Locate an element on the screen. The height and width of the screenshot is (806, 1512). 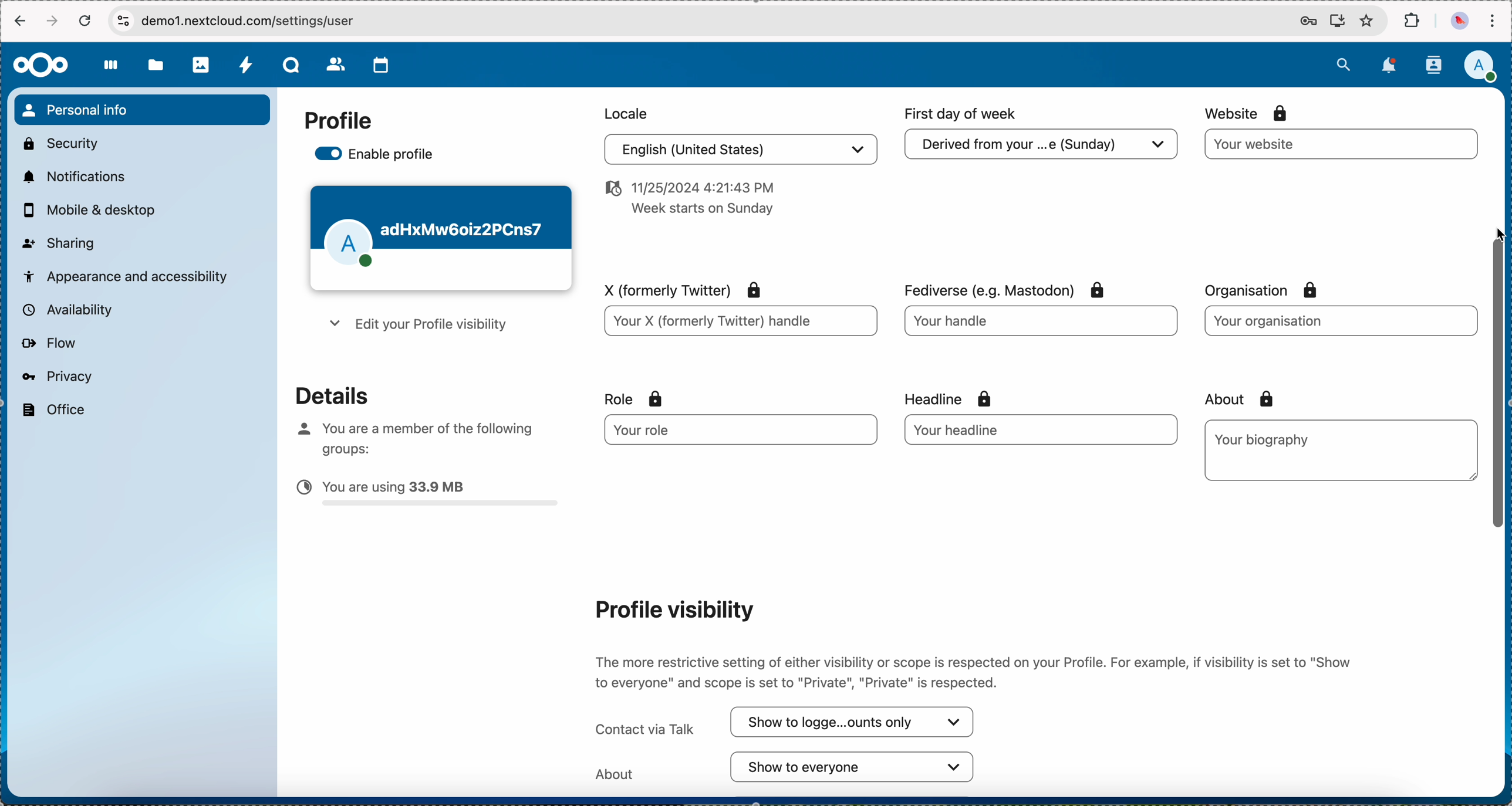
profile picture is located at coordinates (1458, 22).